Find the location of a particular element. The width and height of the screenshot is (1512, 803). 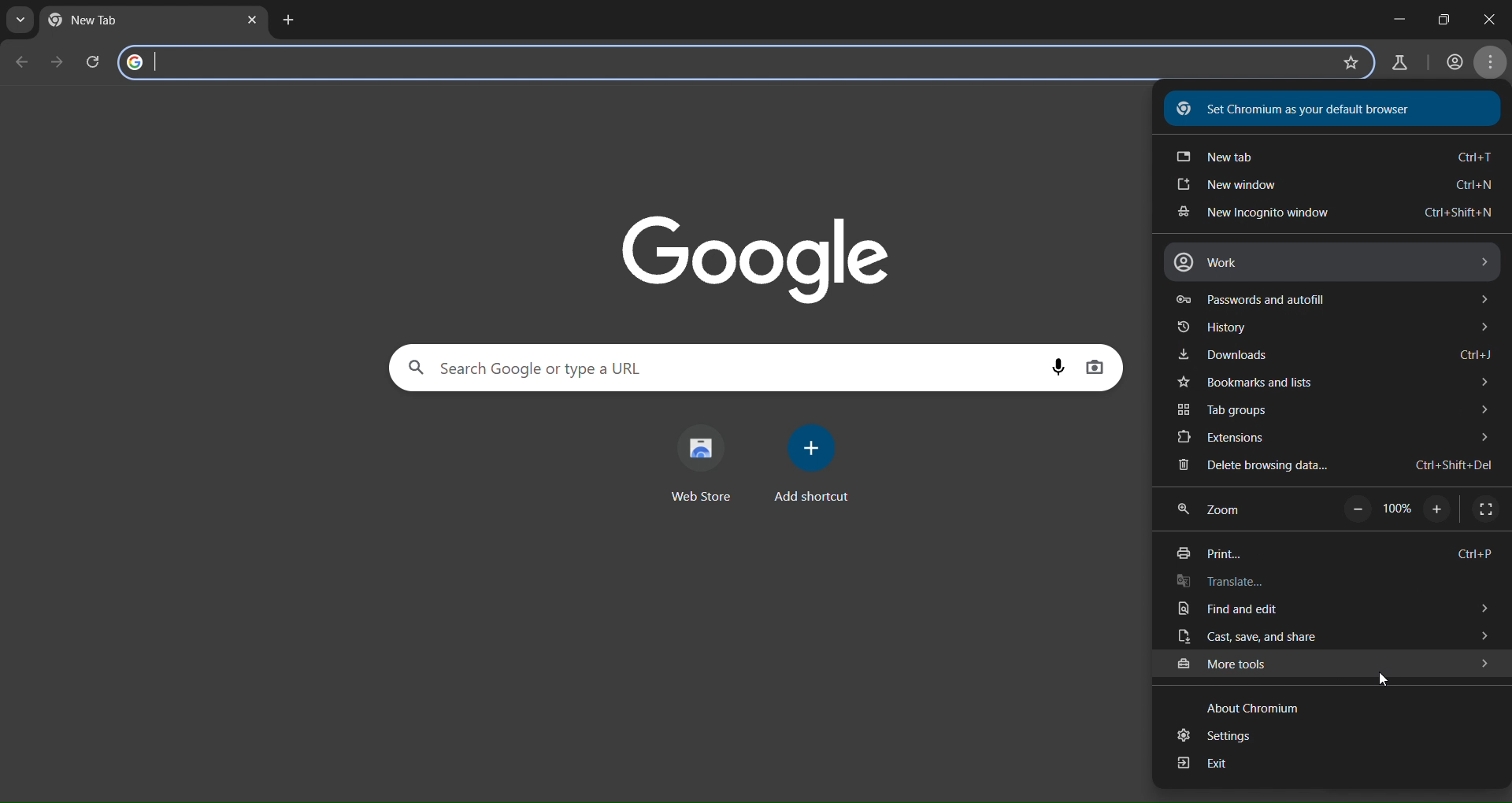

bookmarks and lists is located at coordinates (1338, 383).